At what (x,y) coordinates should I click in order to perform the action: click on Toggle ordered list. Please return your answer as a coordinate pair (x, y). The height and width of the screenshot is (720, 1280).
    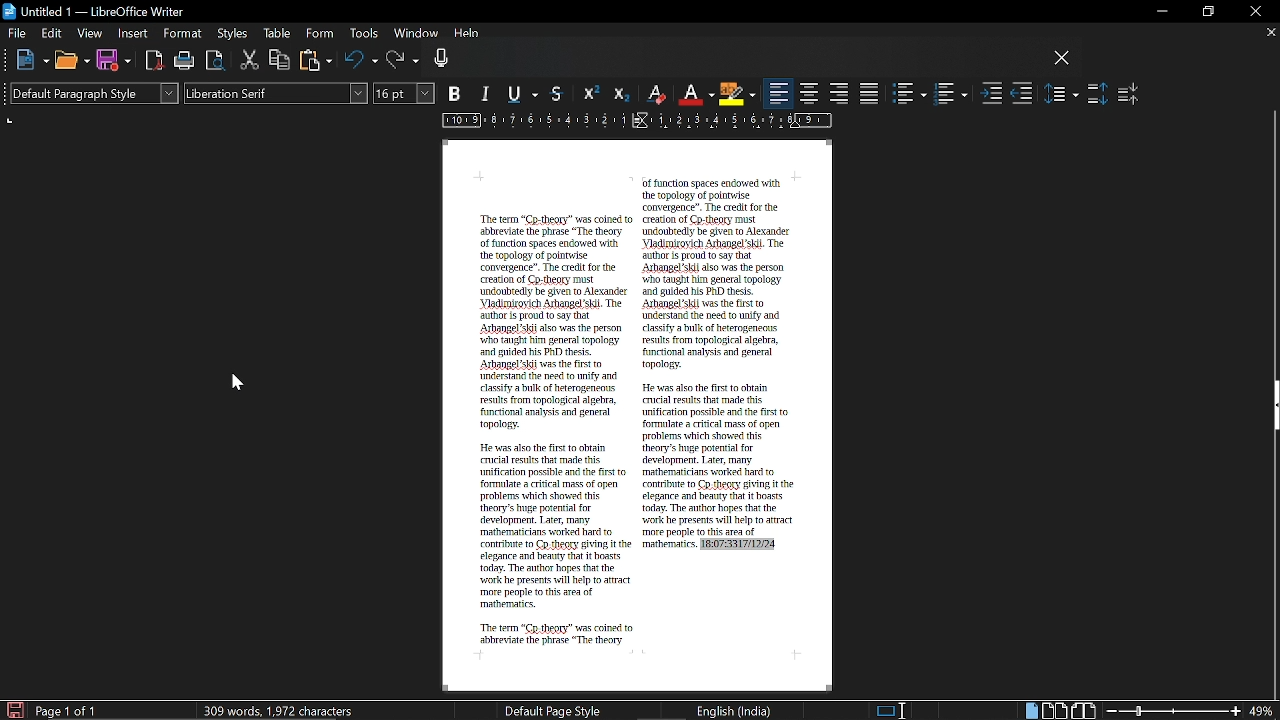
    Looking at the image, I should click on (950, 94).